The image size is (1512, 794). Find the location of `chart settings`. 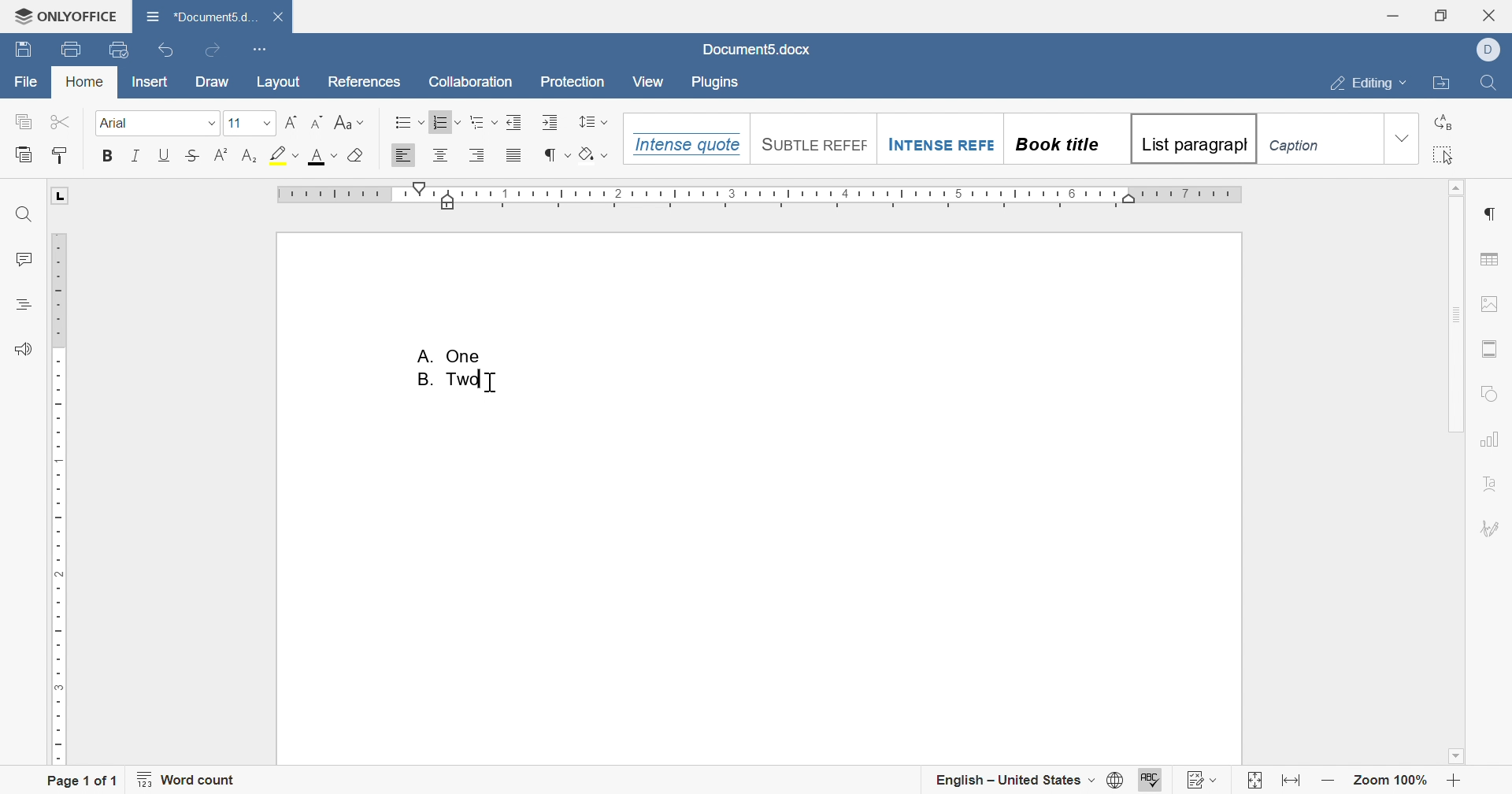

chart settings is located at coordinates (1491, 439).